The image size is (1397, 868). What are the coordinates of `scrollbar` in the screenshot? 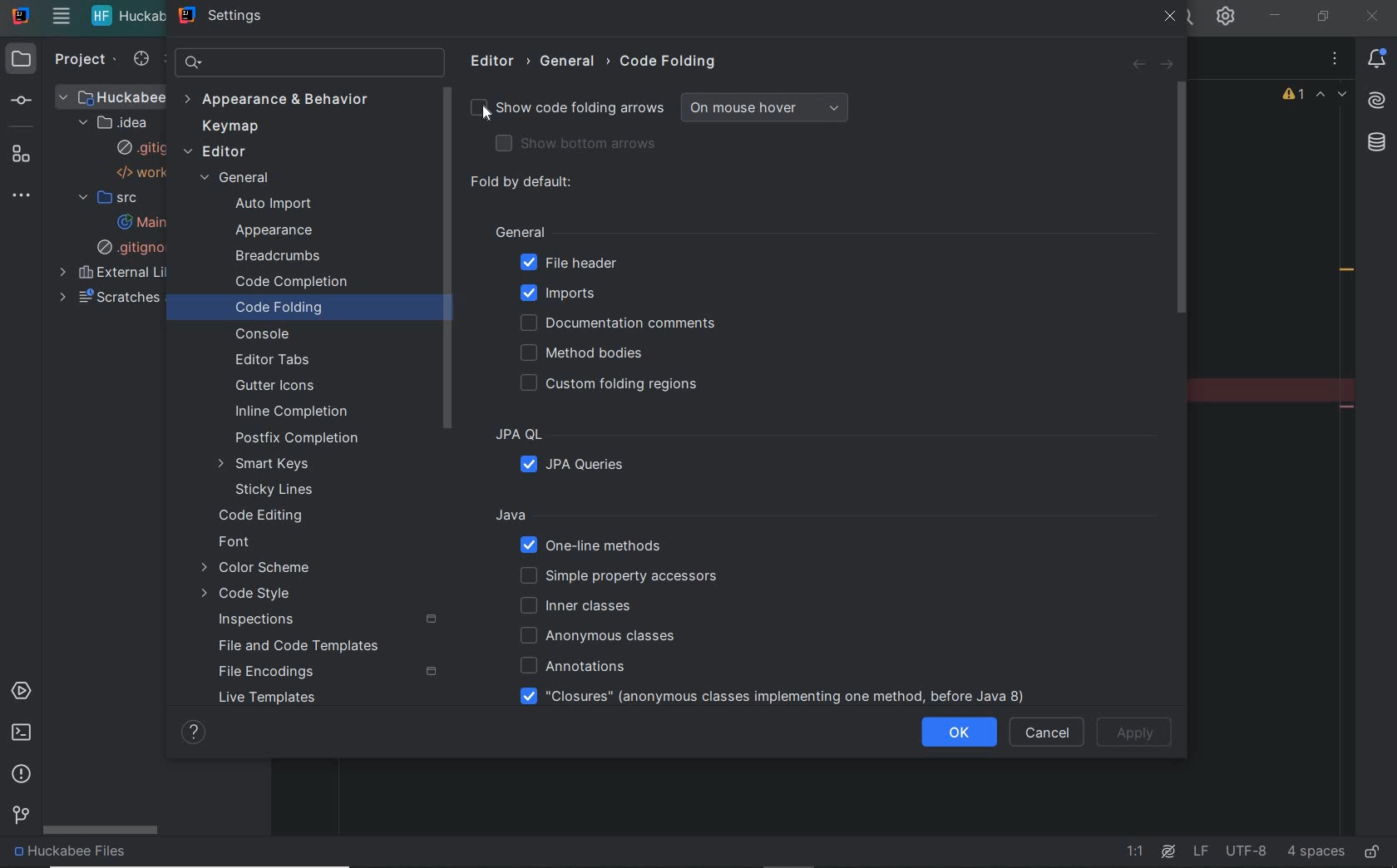 It's located at (102, 831).